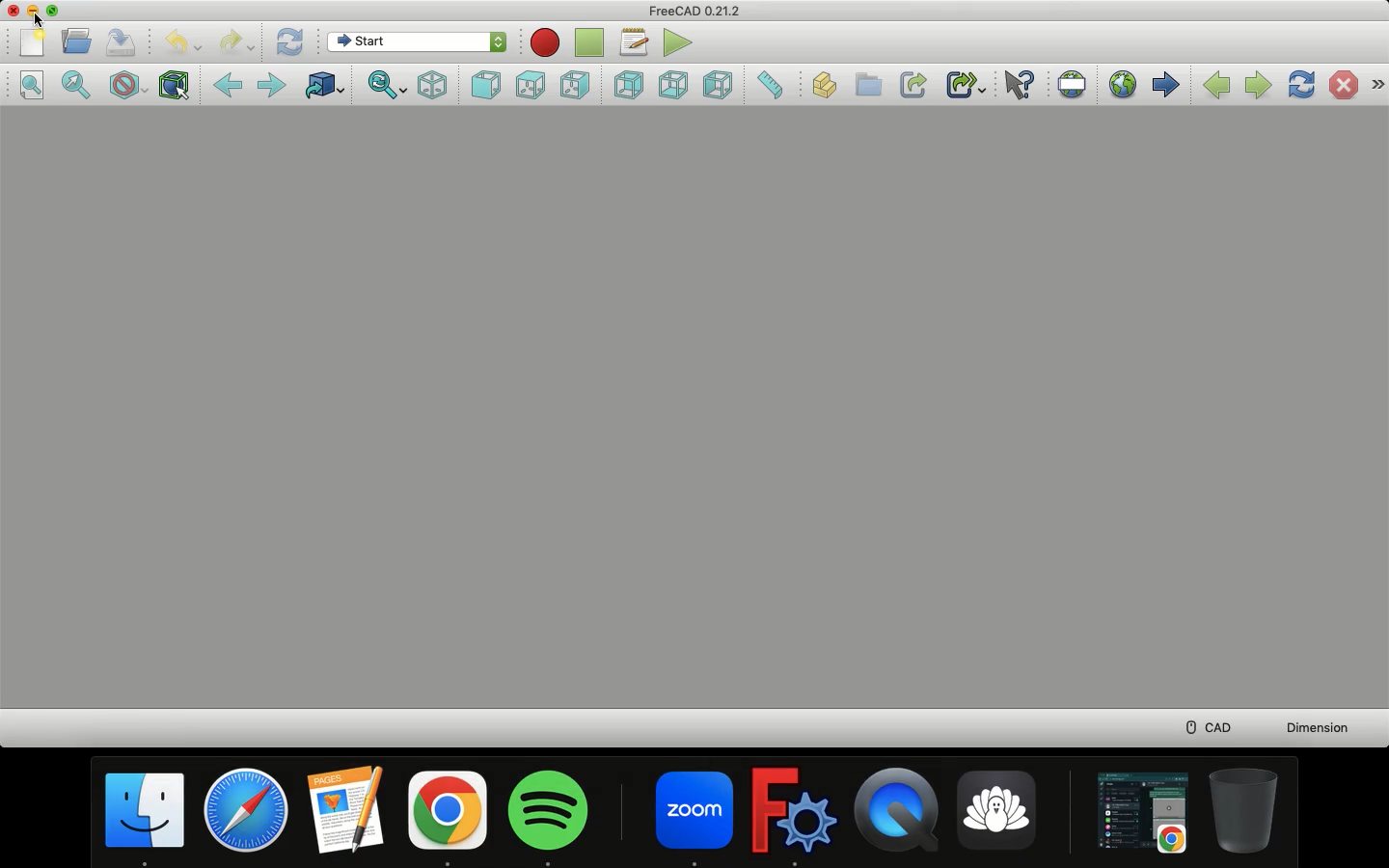 The image size is (1389, 868). What do you see at coordinates (77, 40) in the screenshot?
I see `open` at bounding box center [77, 40].